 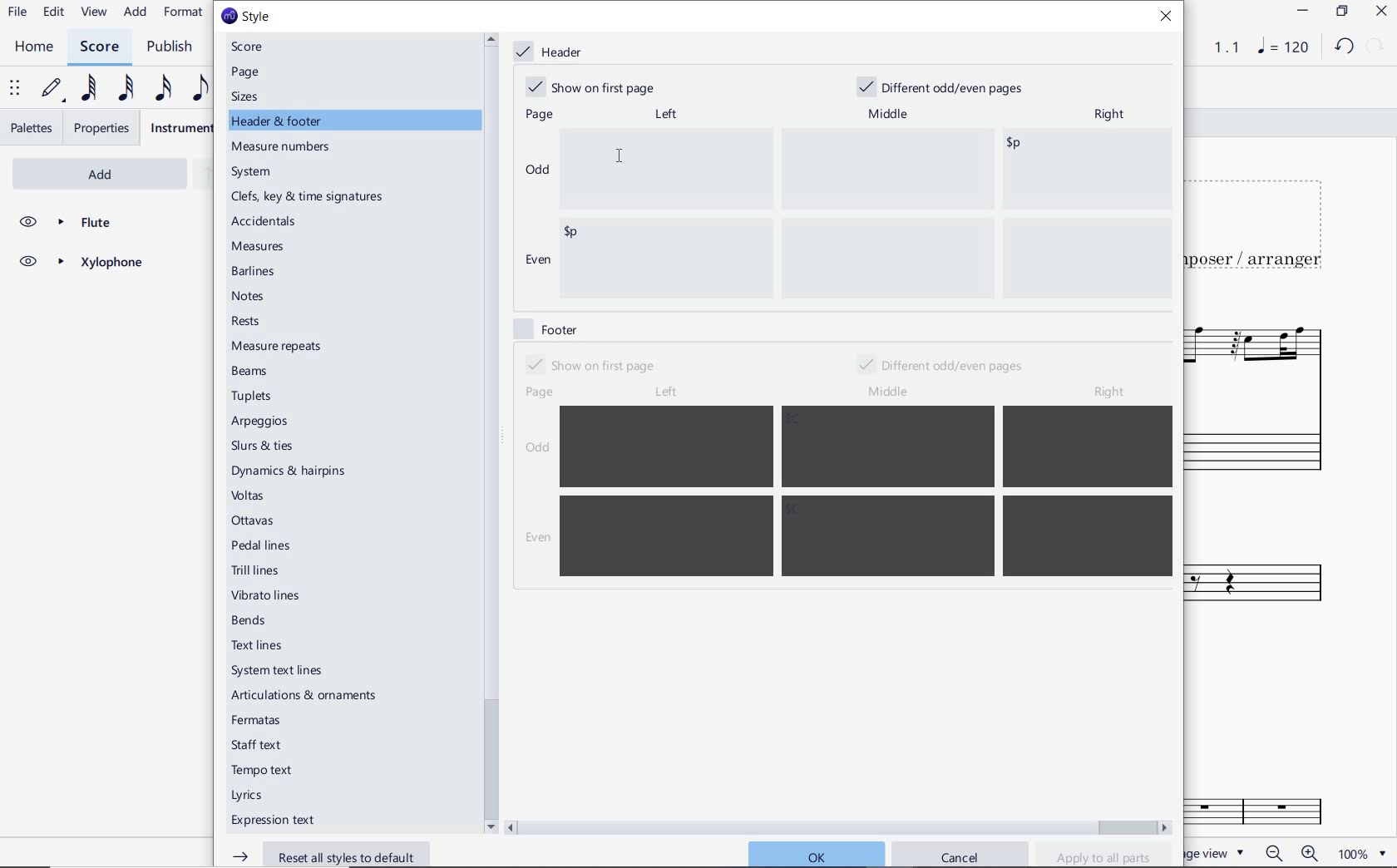 I want to click on PAGE VIEW, so click(x=1220, y=852).